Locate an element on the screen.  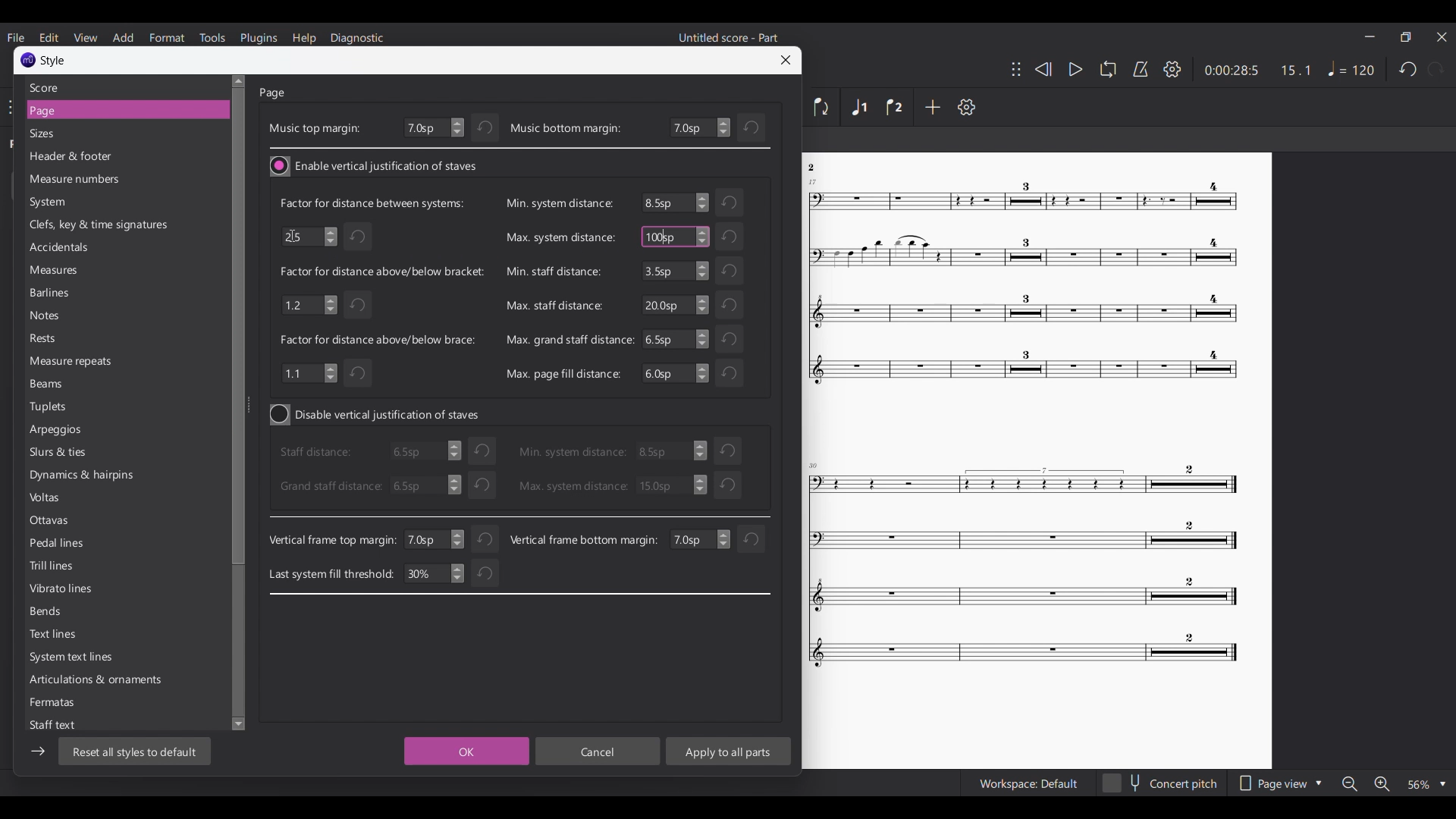
Max. staff distance is located at coordinates (552, 306).